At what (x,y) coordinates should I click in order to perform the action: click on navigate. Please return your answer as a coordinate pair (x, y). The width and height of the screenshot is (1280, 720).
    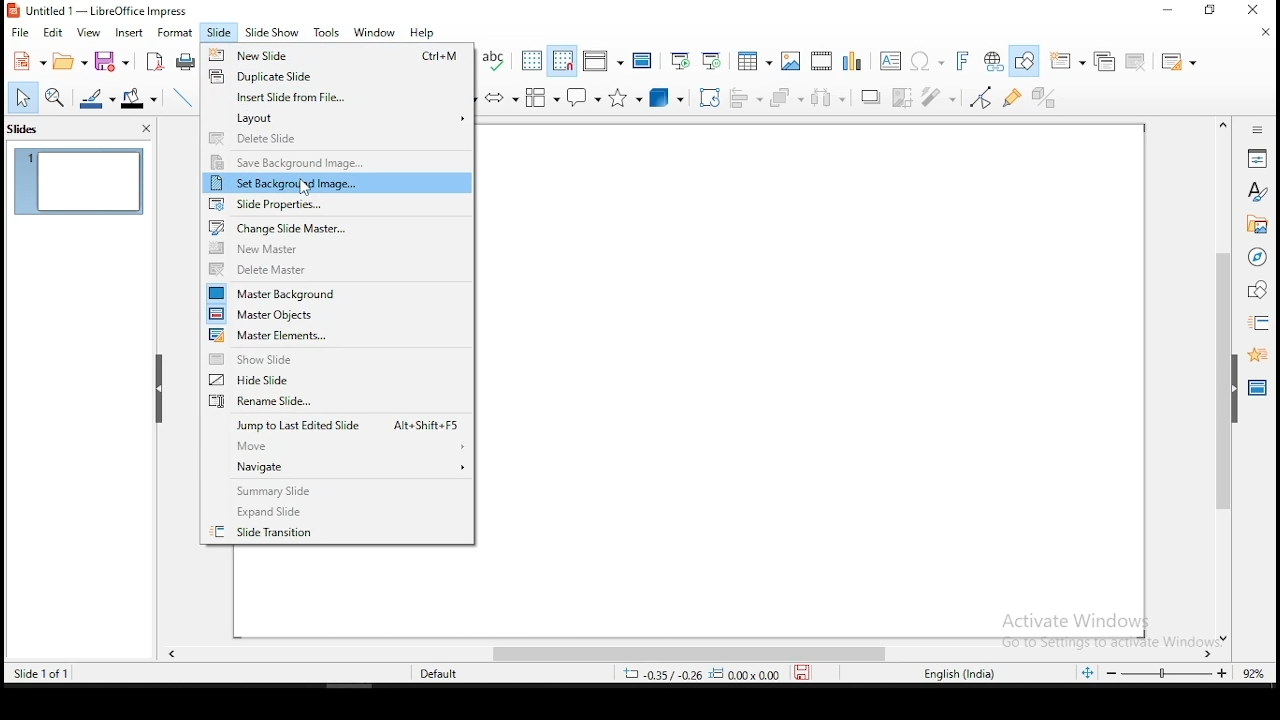
    Looking at the image, I should click on (337, 467).